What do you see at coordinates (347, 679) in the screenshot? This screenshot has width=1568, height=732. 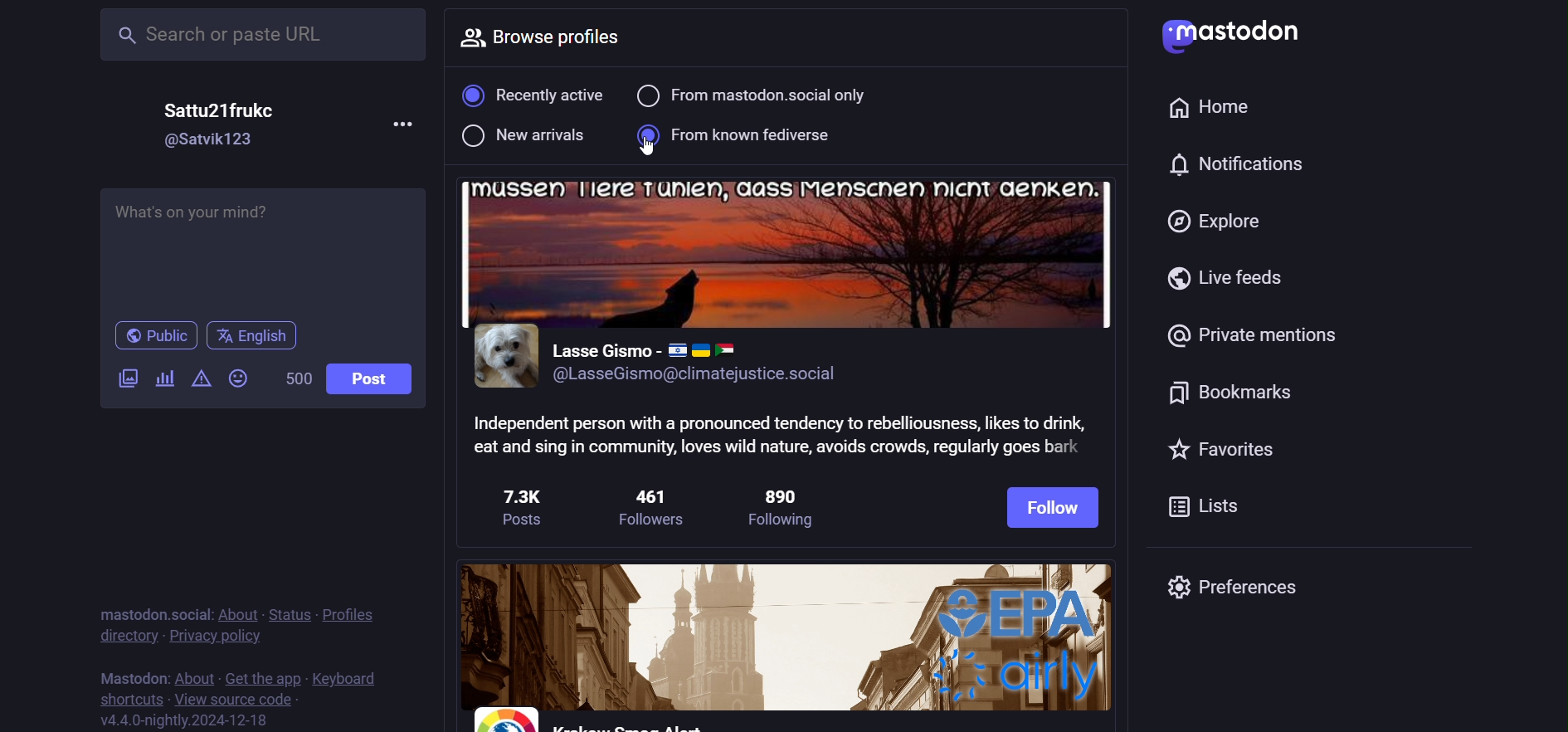 I see `keyboard` at bounding box center [347, 679].